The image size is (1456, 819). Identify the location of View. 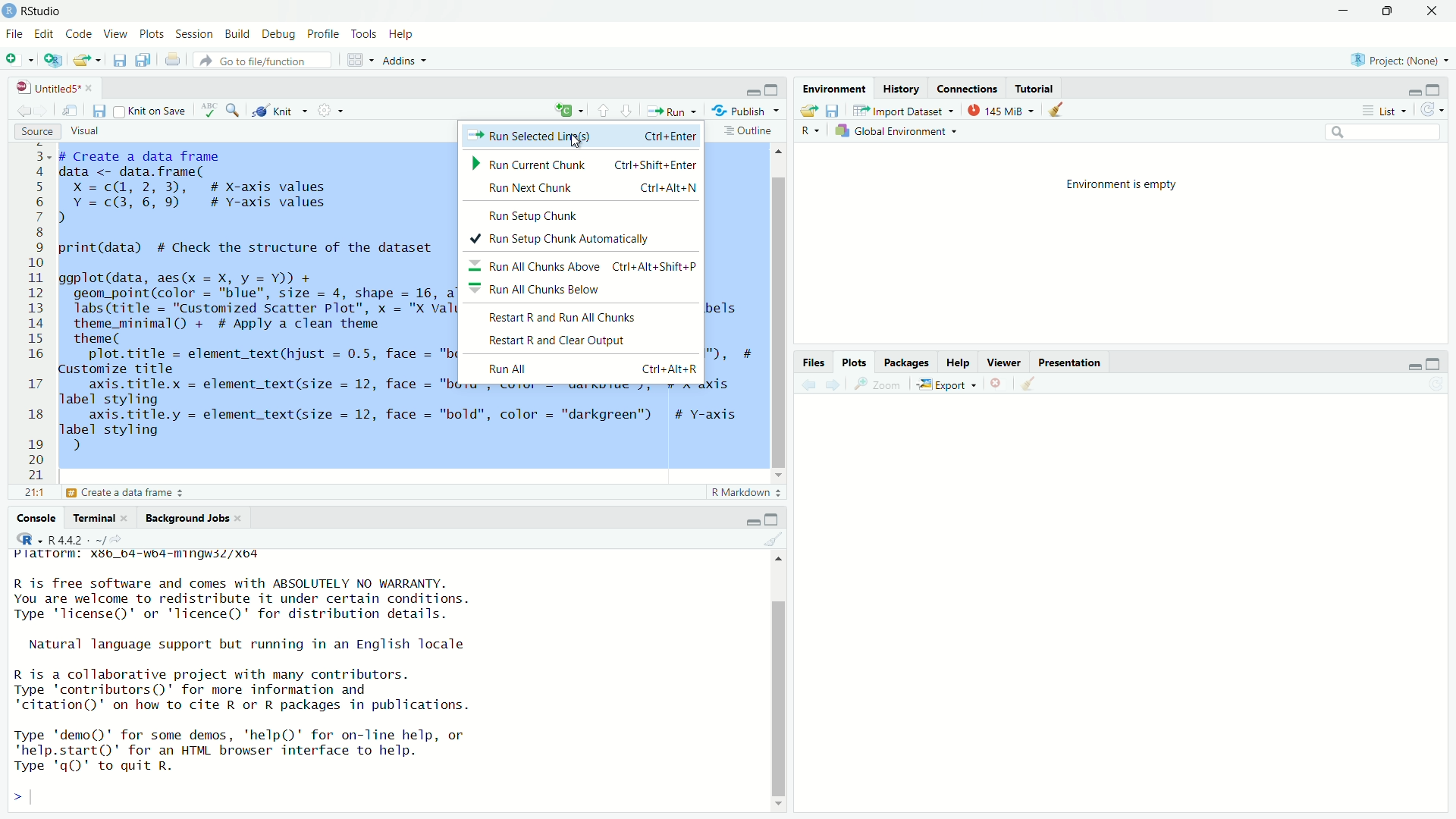
(115, 34).